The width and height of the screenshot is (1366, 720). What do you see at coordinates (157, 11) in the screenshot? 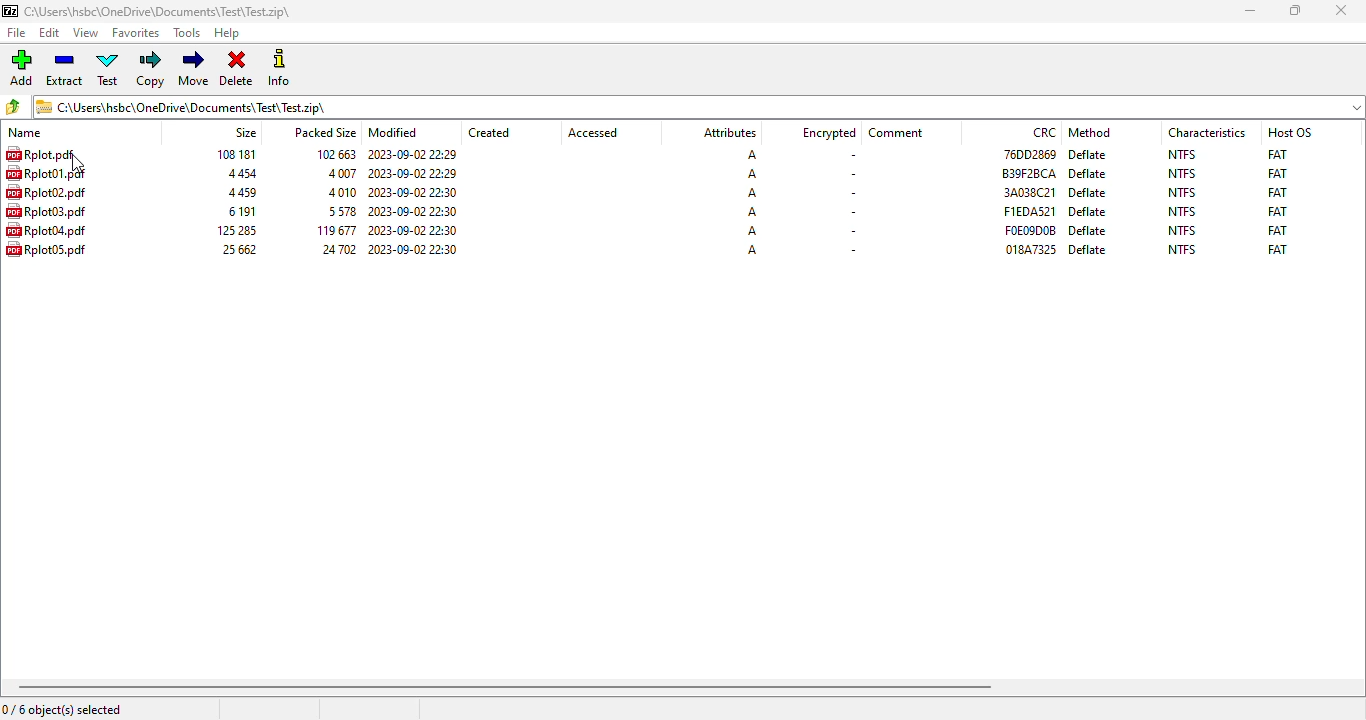
I see `.zip archive` at bounding box center [157, 11].